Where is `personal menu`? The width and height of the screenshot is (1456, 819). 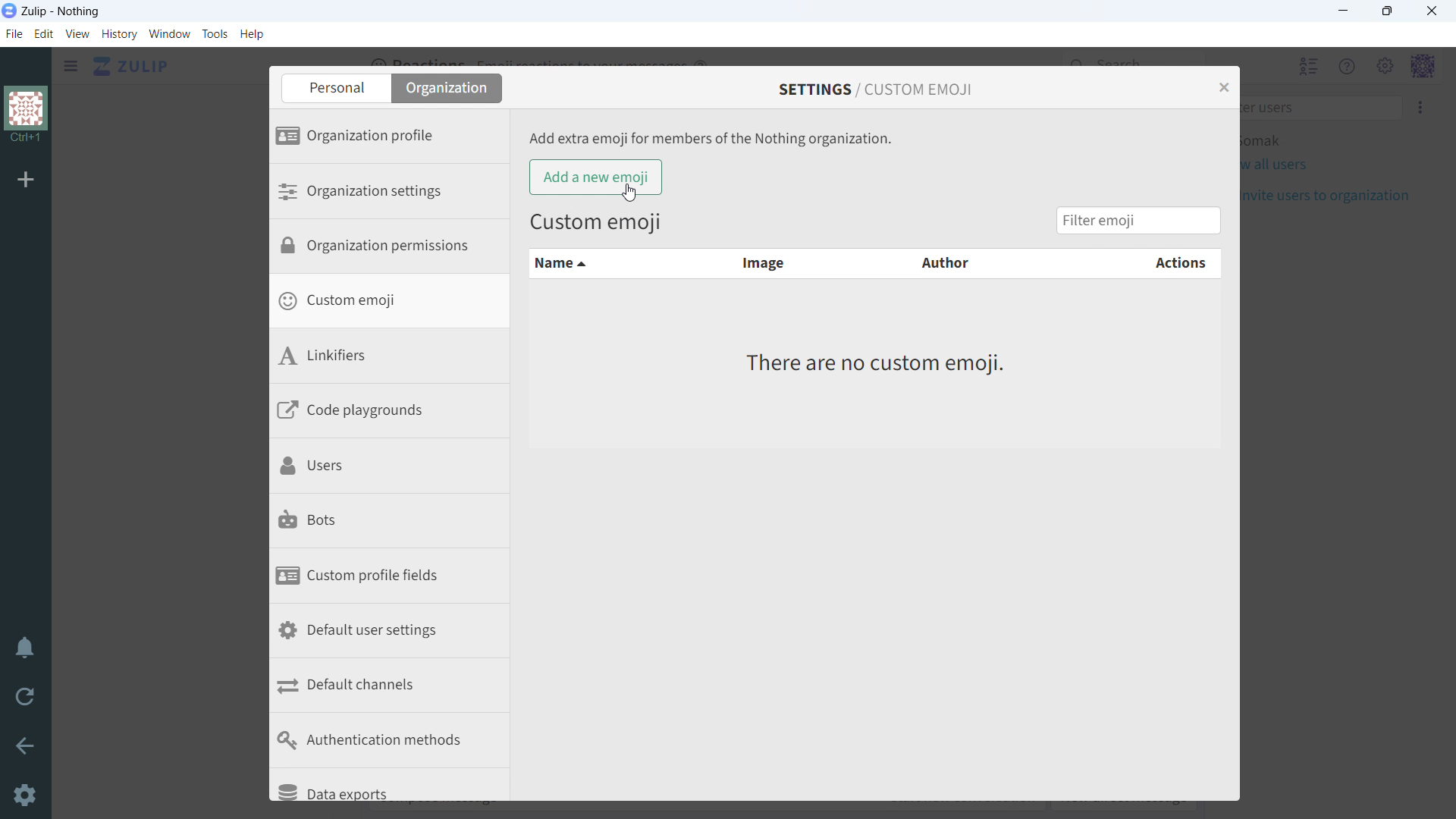
personal menu is located at coordinates (1423, 66).